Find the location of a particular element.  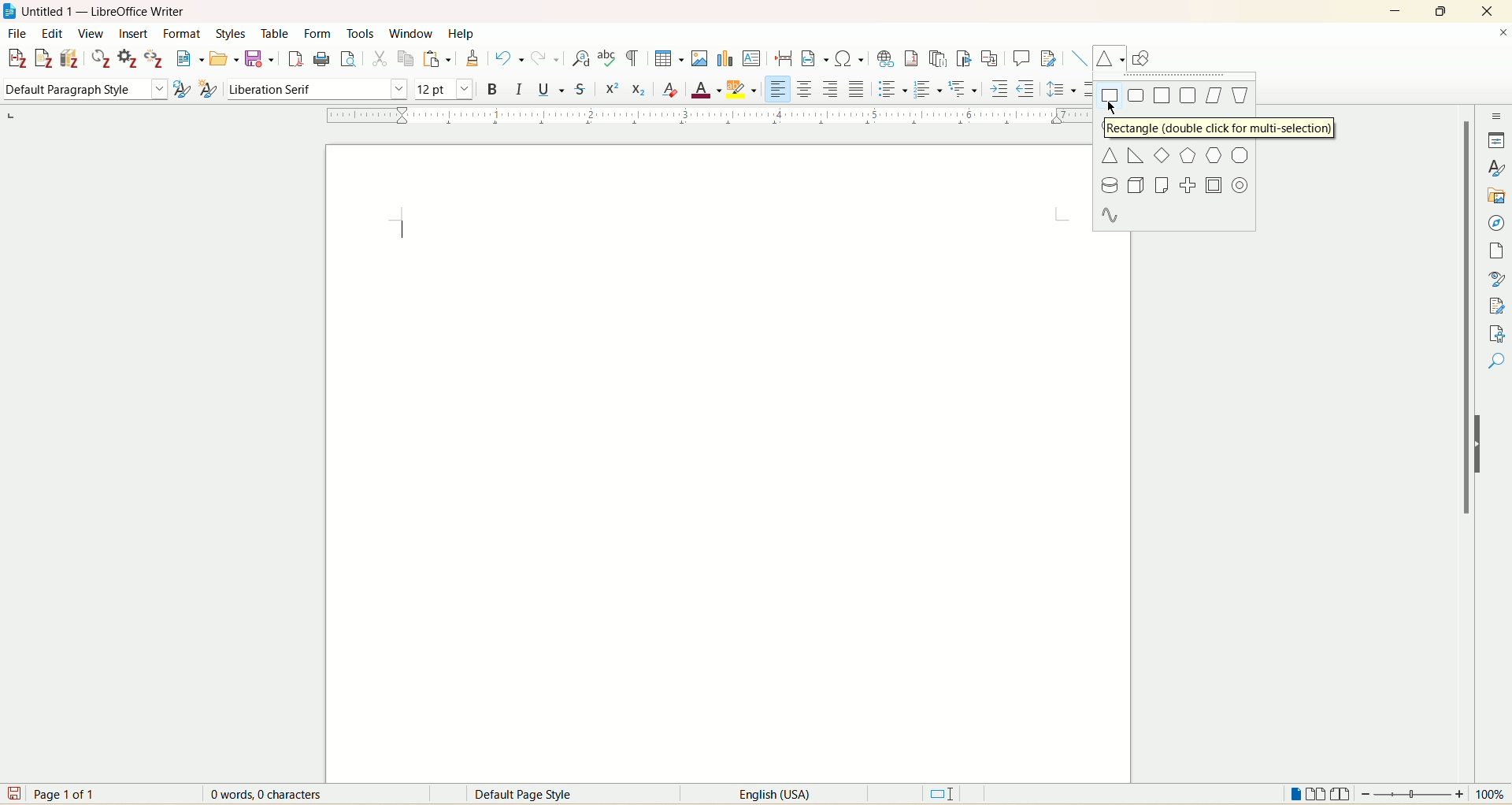

gallary is located at coordinates (1498, 196).